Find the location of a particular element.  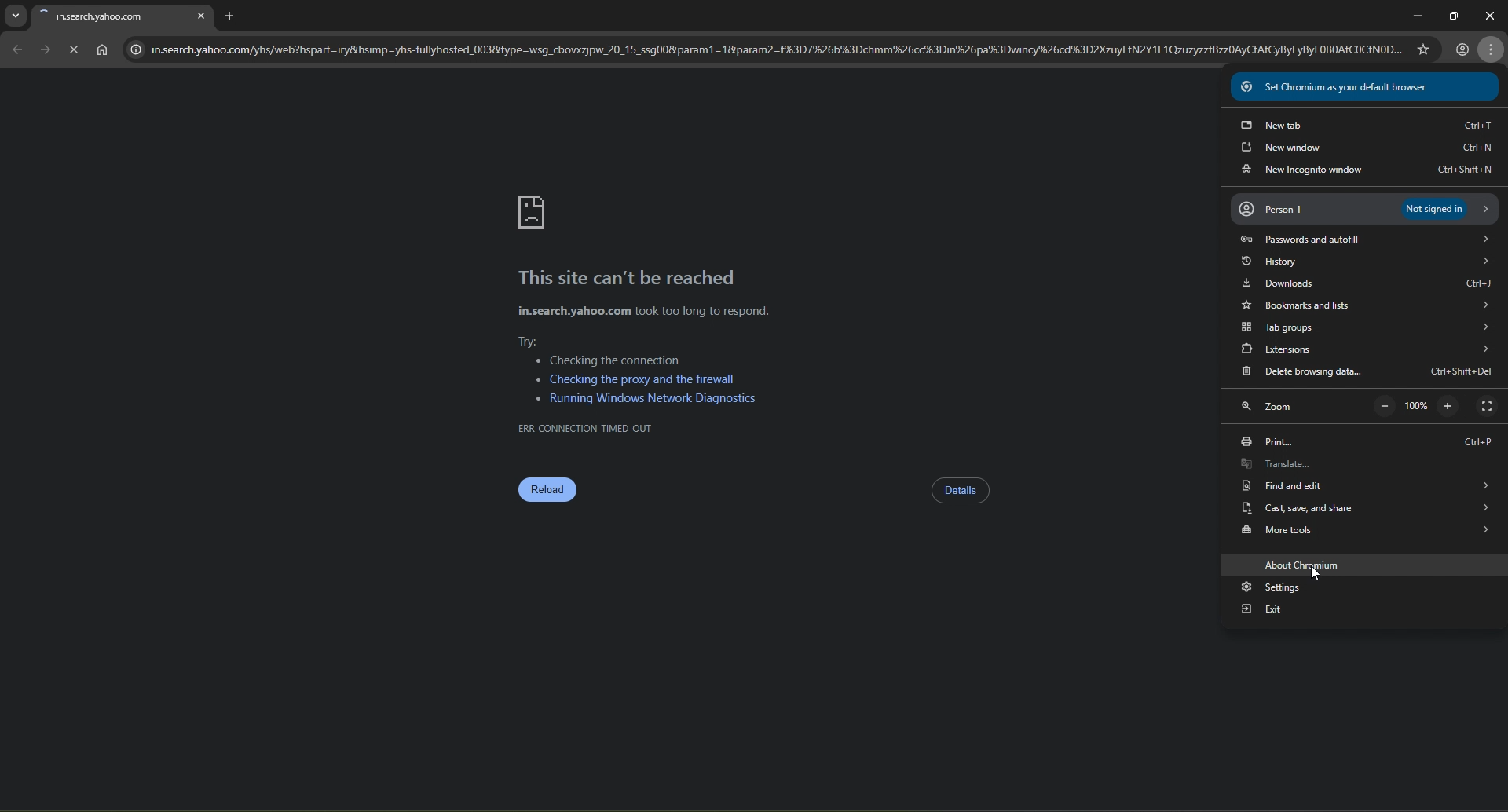

Customize and control google chromium is located at coordinates (1493, 51).